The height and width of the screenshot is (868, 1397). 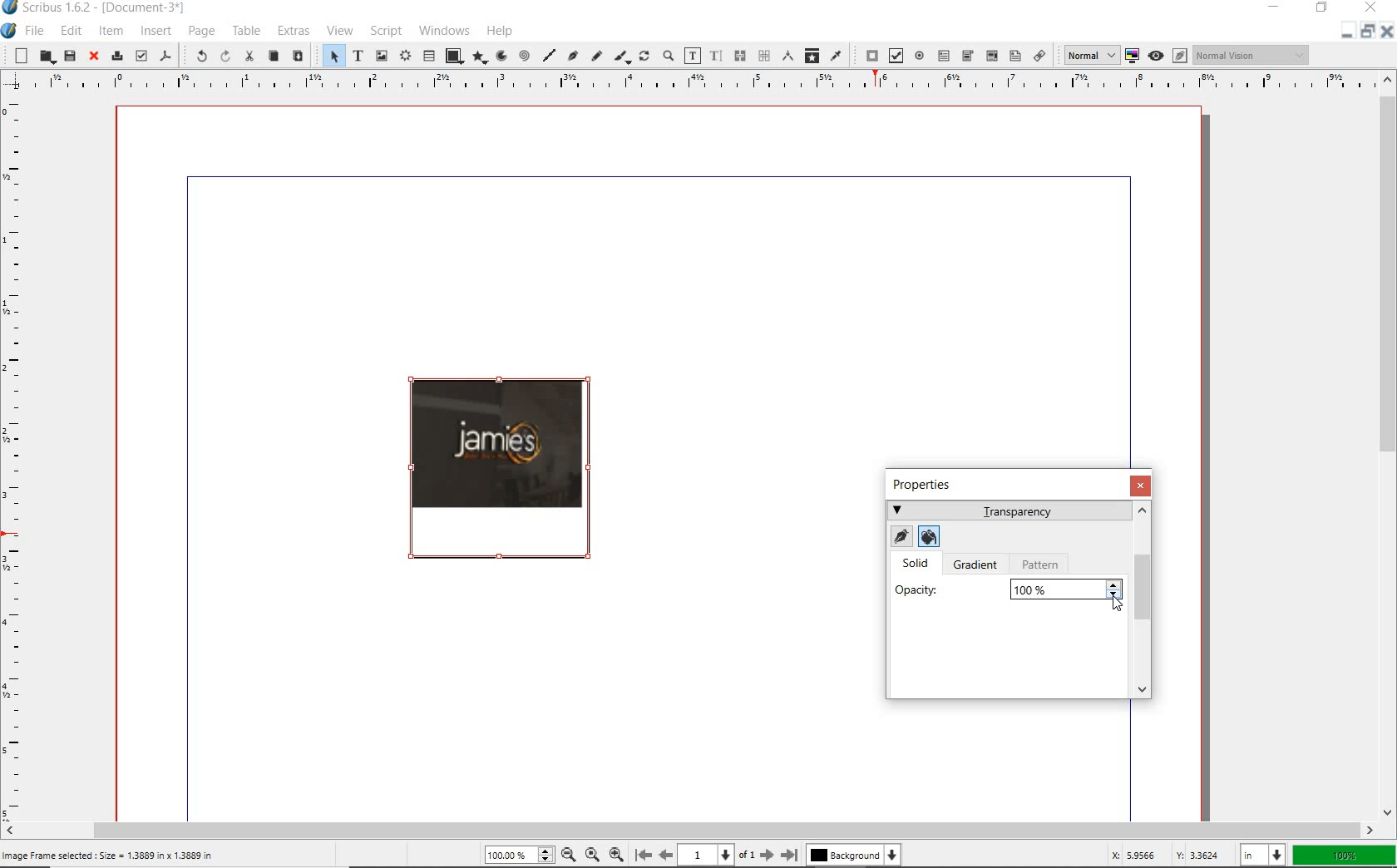 What do you see at coordinates (1008, 510) in the screenshot?
I see `TRANSPARENCY` at bounding box center [1008, 510].